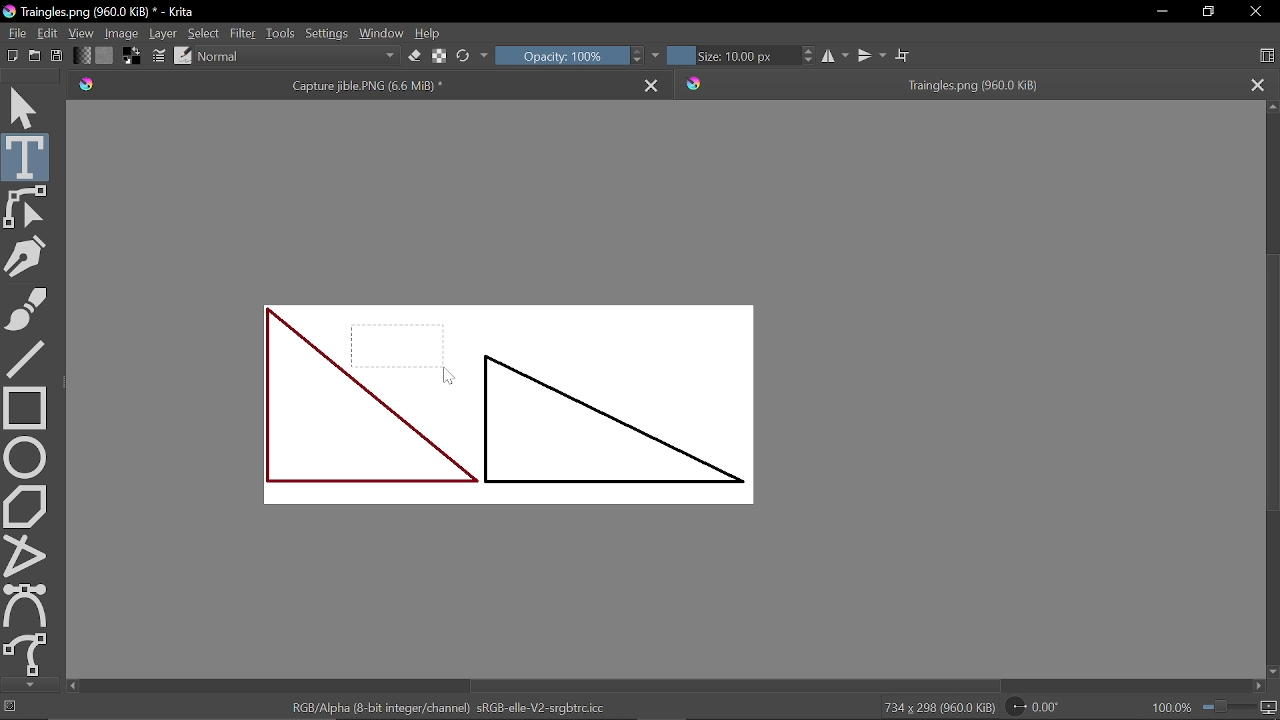  Describe the element at coordinates (1254, 12) in the screenshot. I see `Close window` at that location.